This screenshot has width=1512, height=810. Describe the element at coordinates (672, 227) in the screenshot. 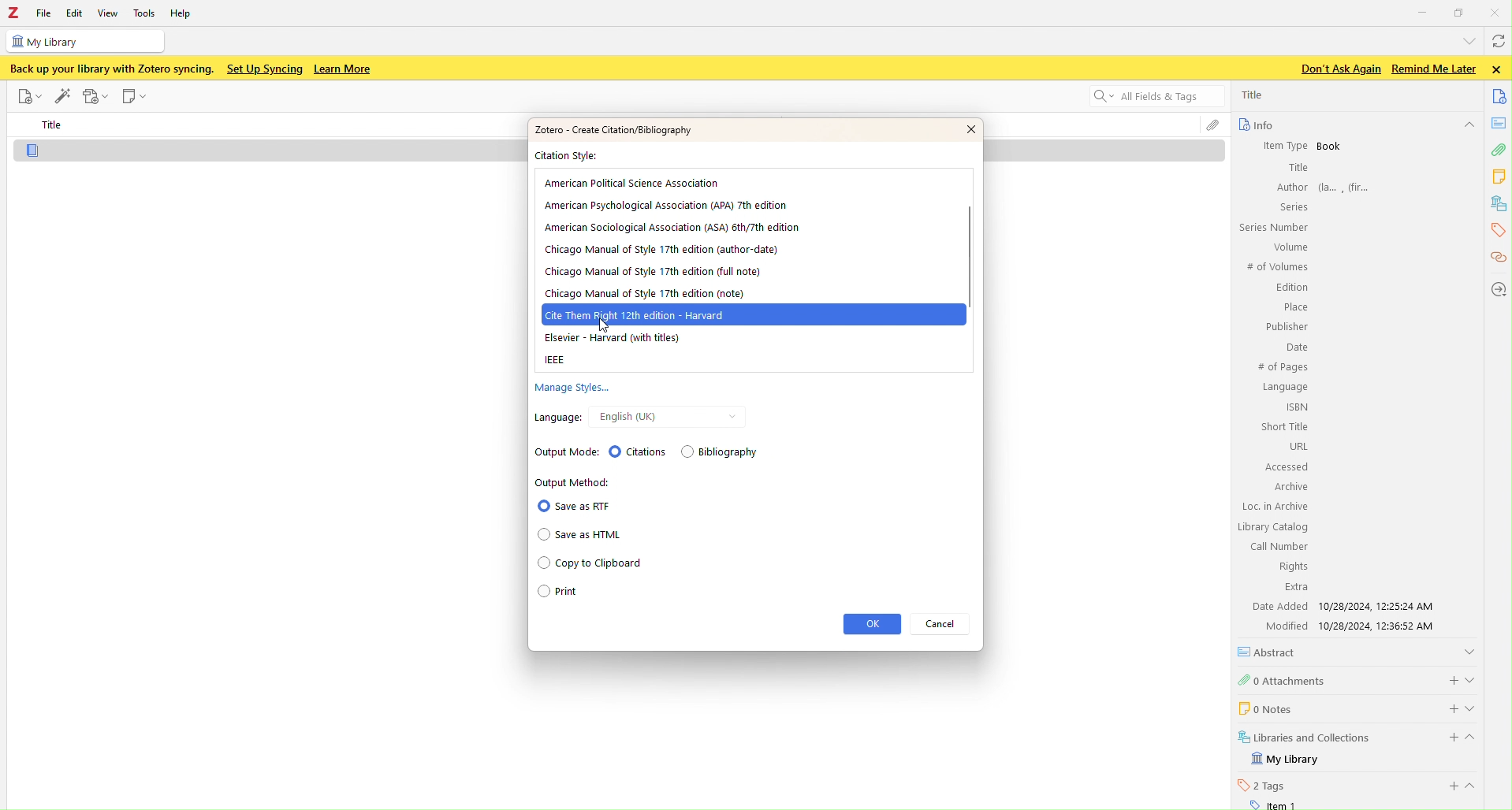

I see `American Sociological Association (ASA) 6th/7th edition` at that location.